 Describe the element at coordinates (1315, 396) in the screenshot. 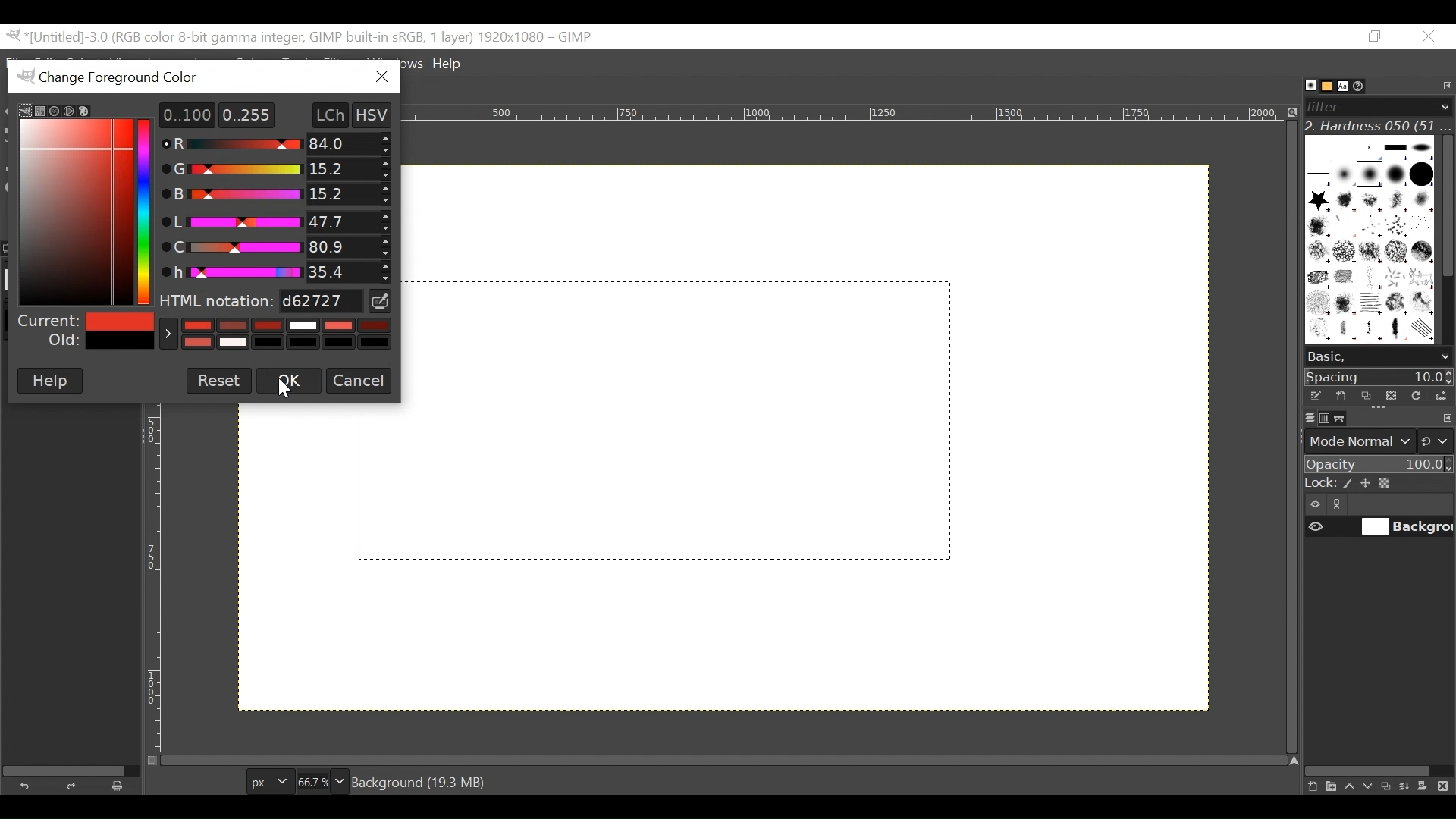

I see `Edit the brush` at that location.